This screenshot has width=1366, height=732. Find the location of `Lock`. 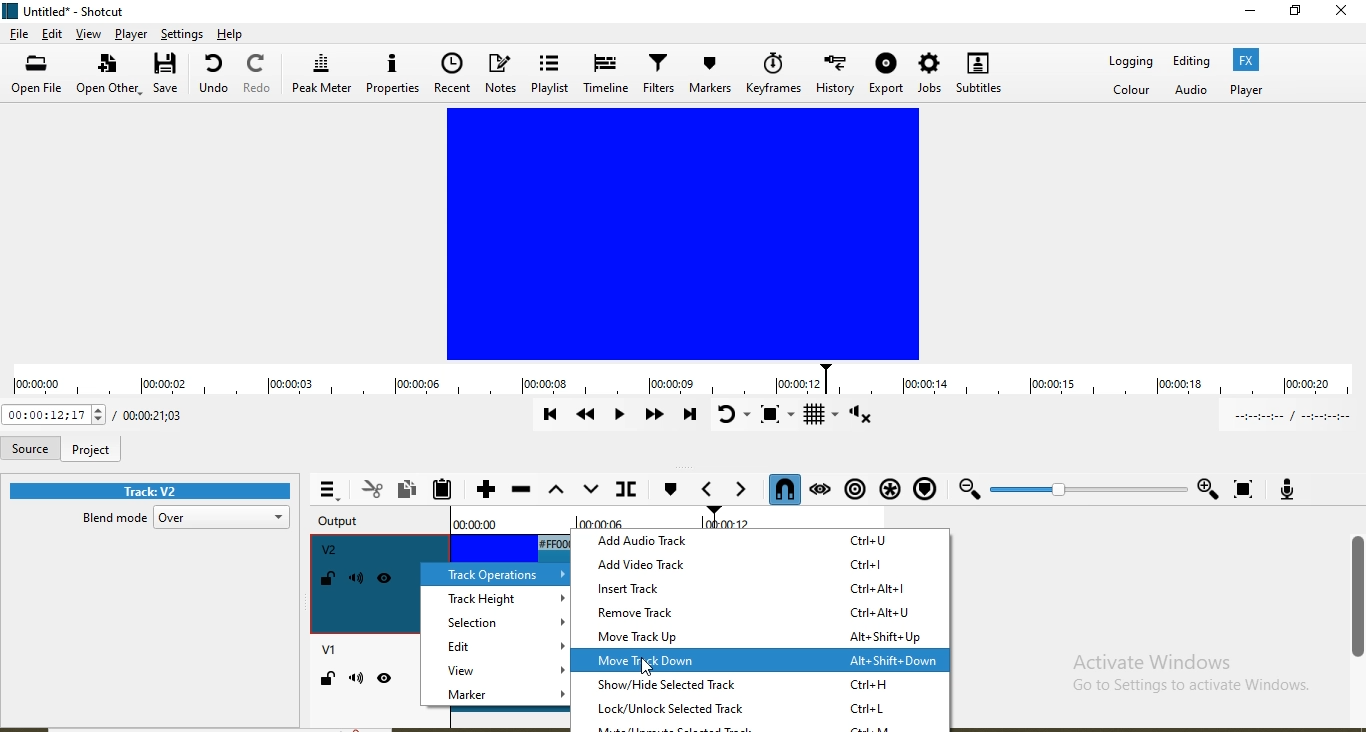

Lock is located at coordinates (328, 580).